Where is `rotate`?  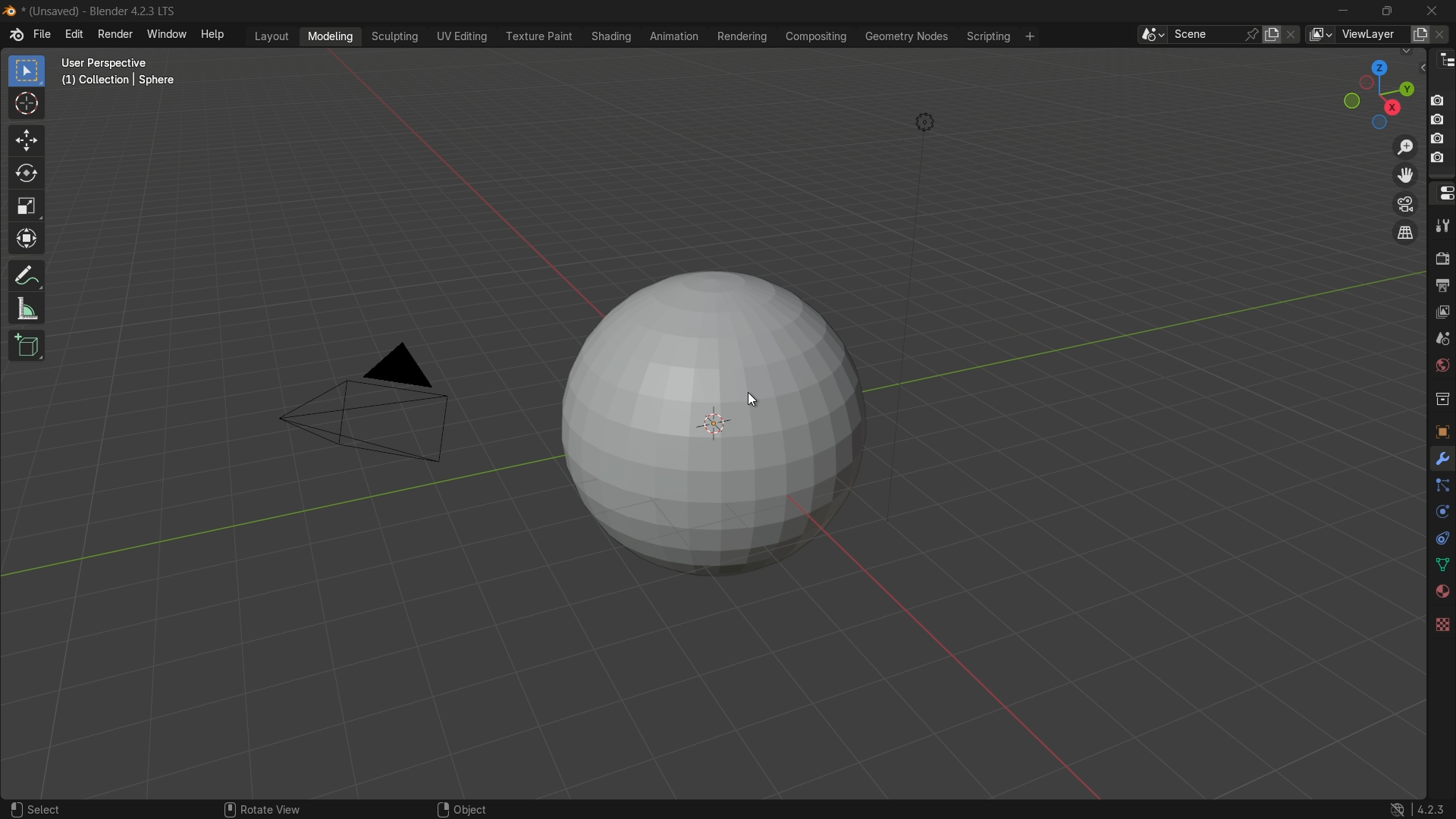 rotate is located at coordinates (27, 176).